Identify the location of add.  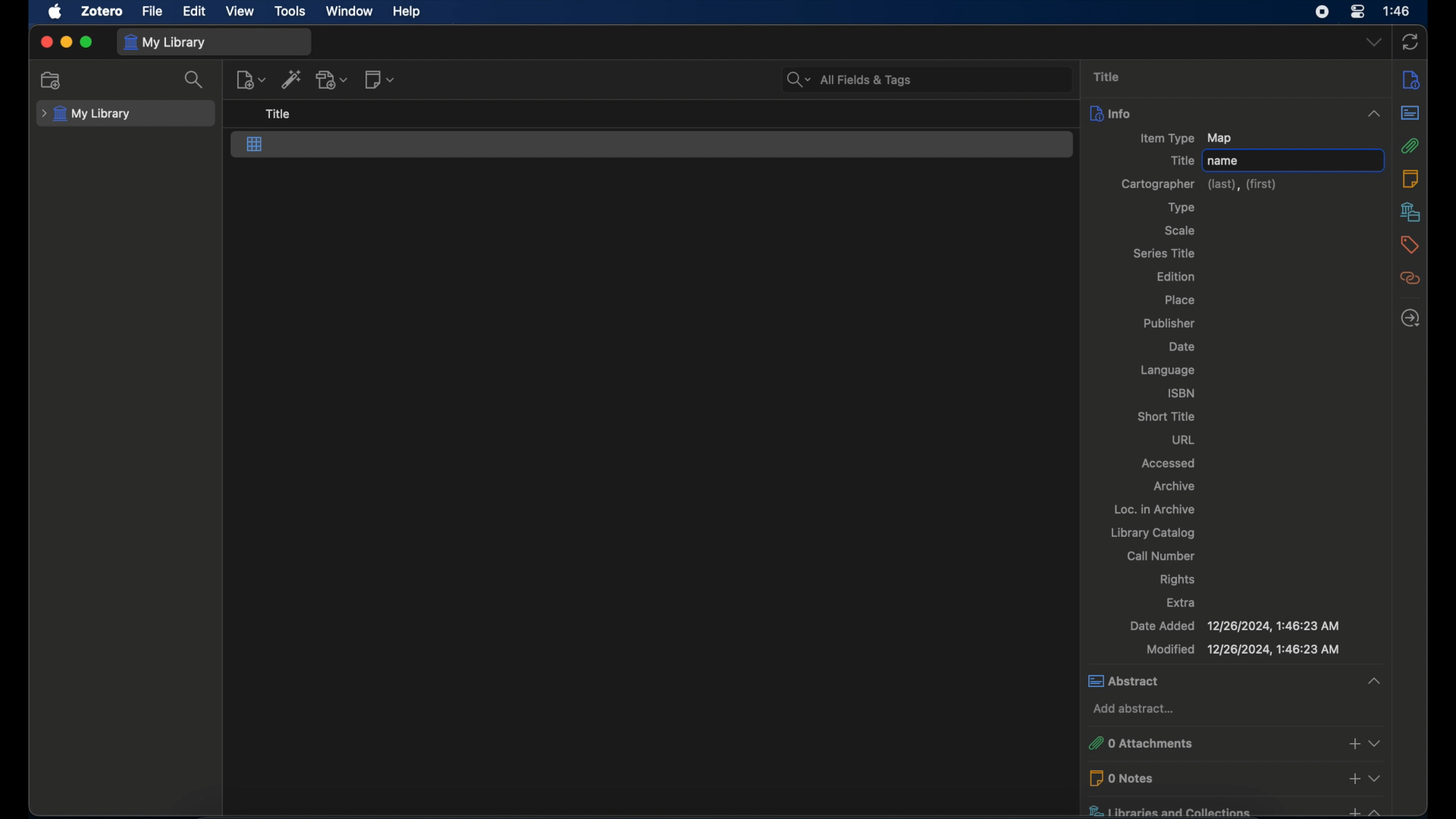
(1354, 743).